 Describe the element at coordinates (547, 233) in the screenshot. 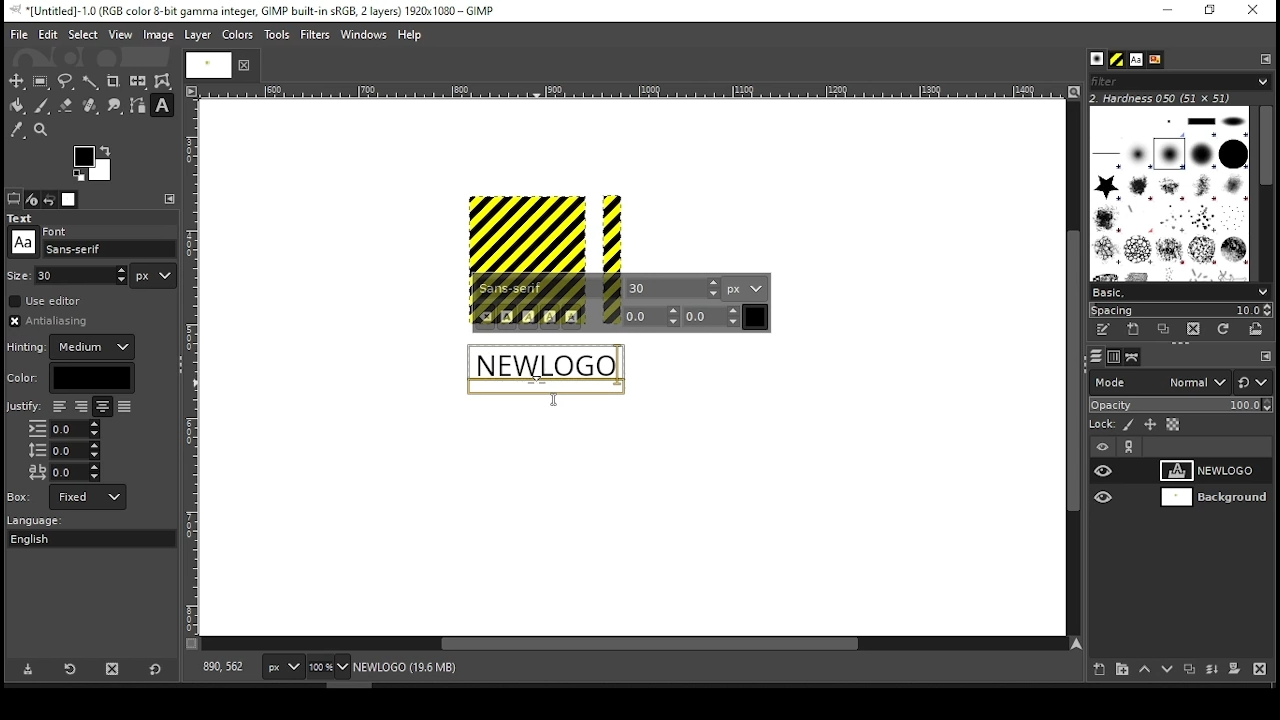

I see `` at that location.